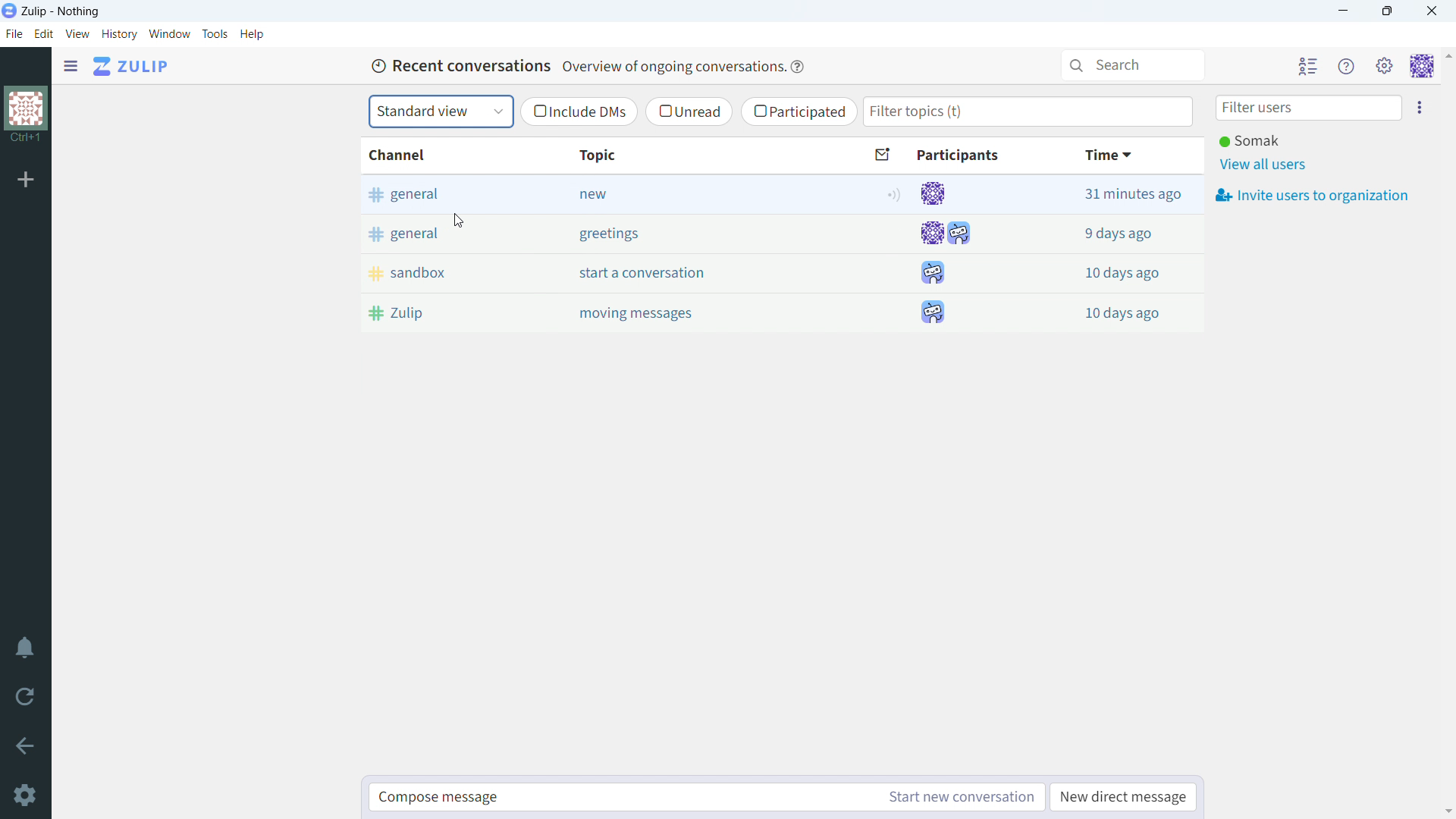 This screenshot has width=1456, height=819. What do you see at coordinates (1418, 106) in the screenshot?
I see `invite users` at bounding box center [1418, 106].